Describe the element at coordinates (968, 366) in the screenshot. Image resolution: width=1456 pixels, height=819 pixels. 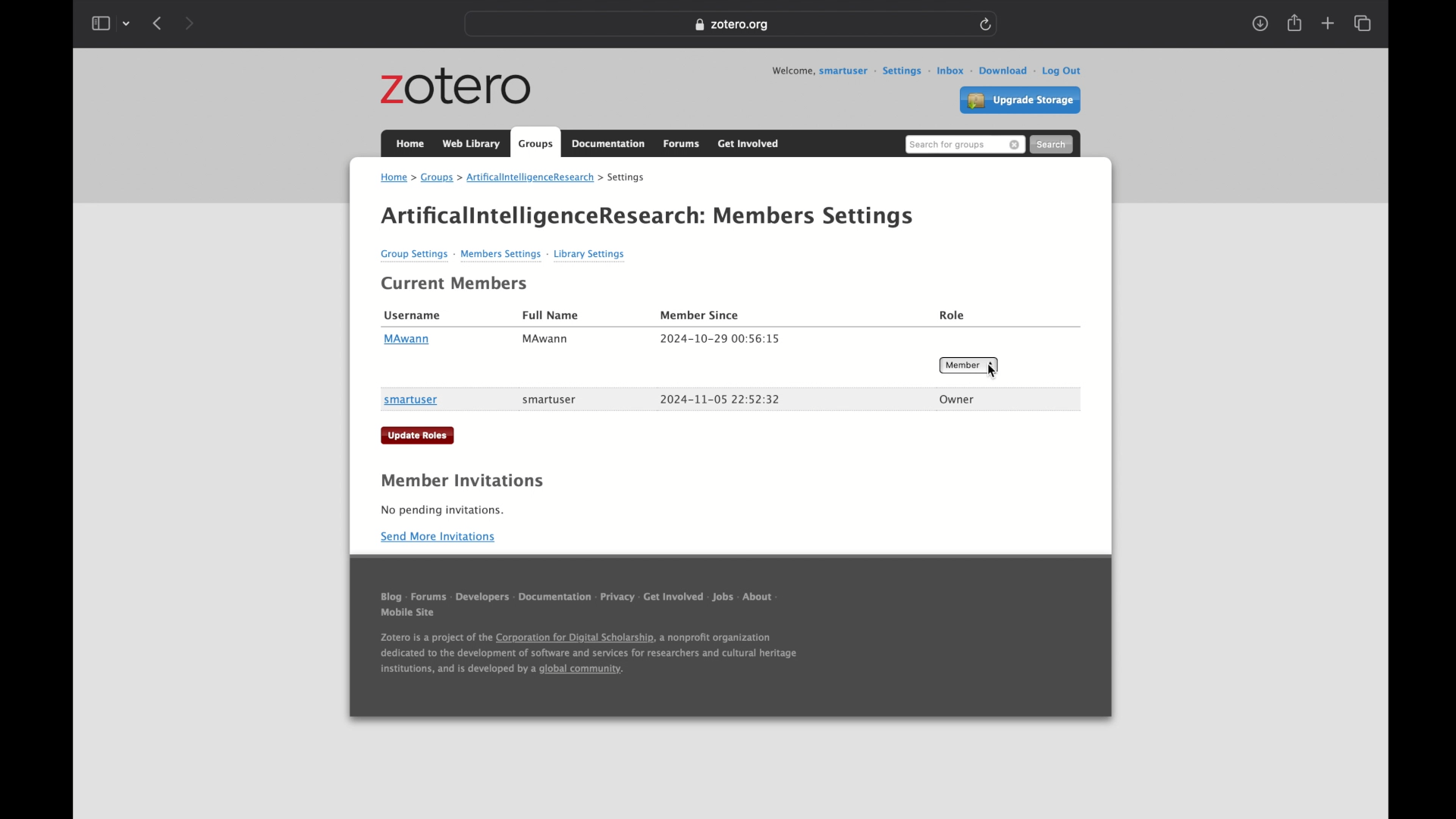
I see `member` at that location.